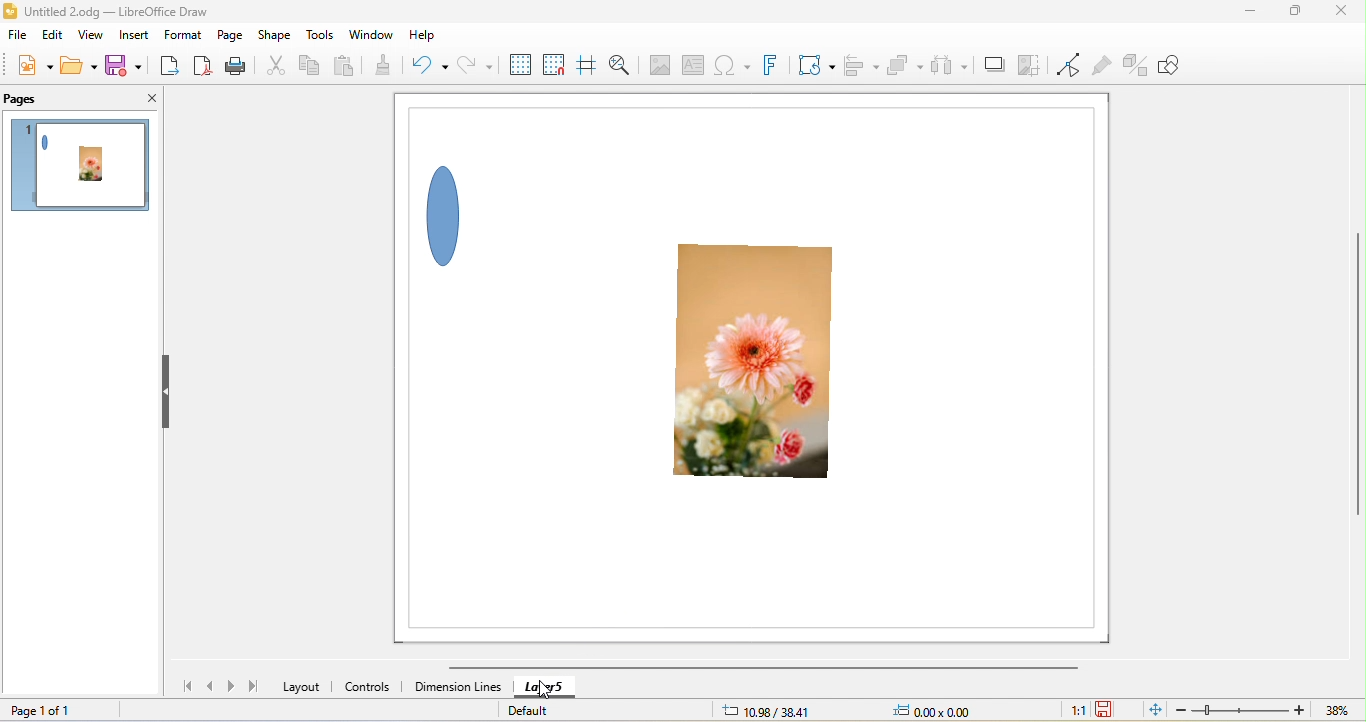  I want to click on snap to grid, so click(556, 64).